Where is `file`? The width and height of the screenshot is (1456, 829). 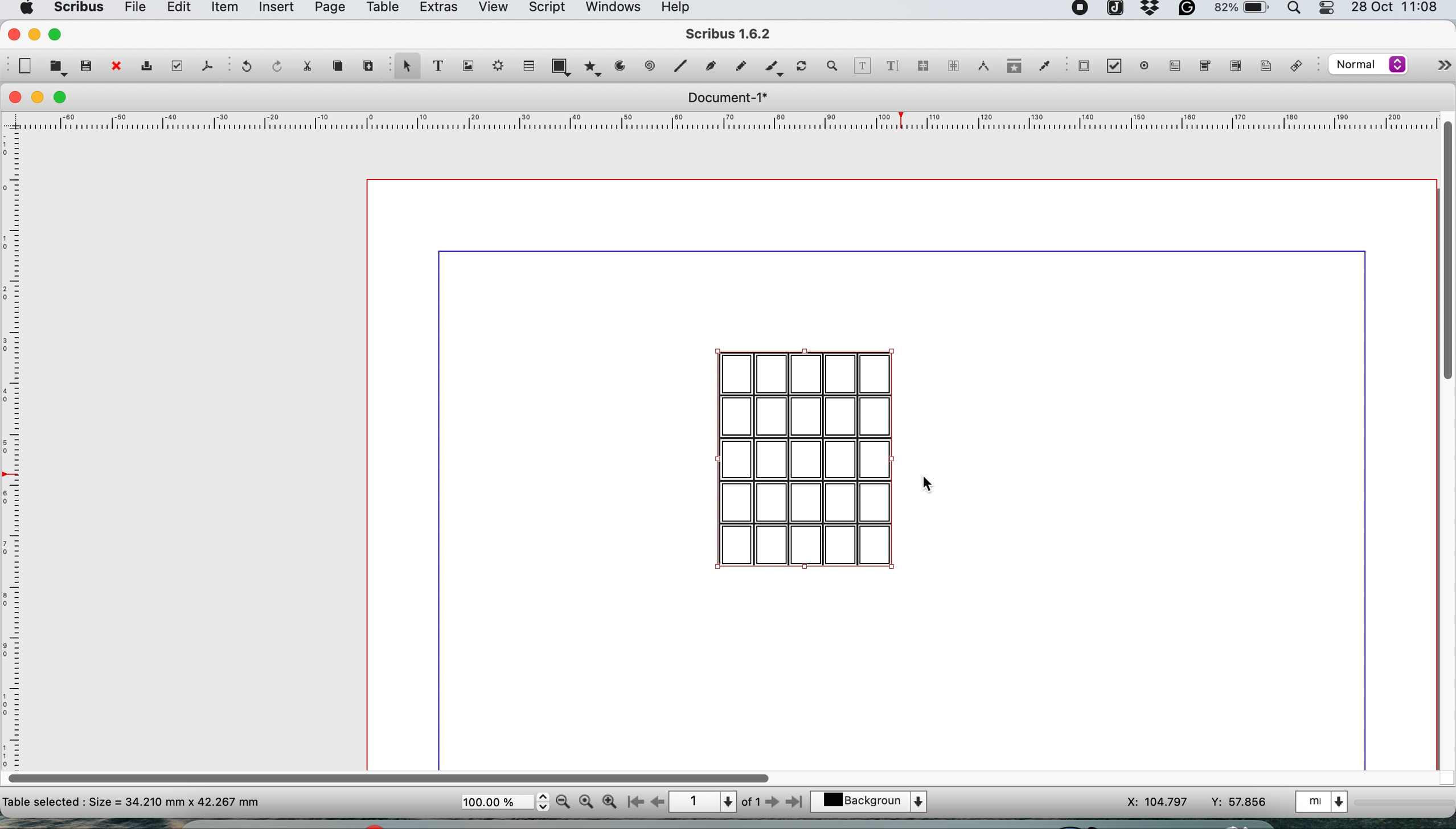 file is located at coordinates (133, 10).